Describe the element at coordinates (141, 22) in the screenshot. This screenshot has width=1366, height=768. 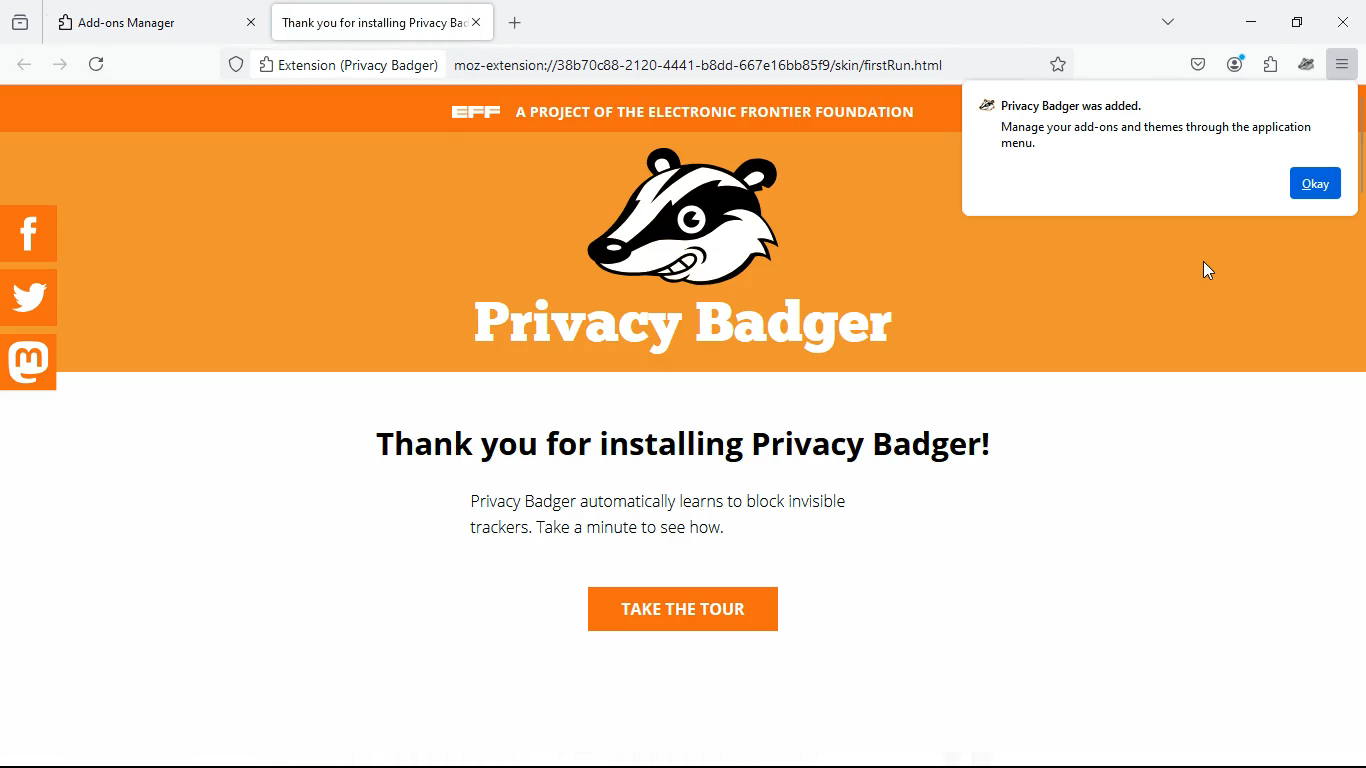
I see `Add-ons Manager` at that location.